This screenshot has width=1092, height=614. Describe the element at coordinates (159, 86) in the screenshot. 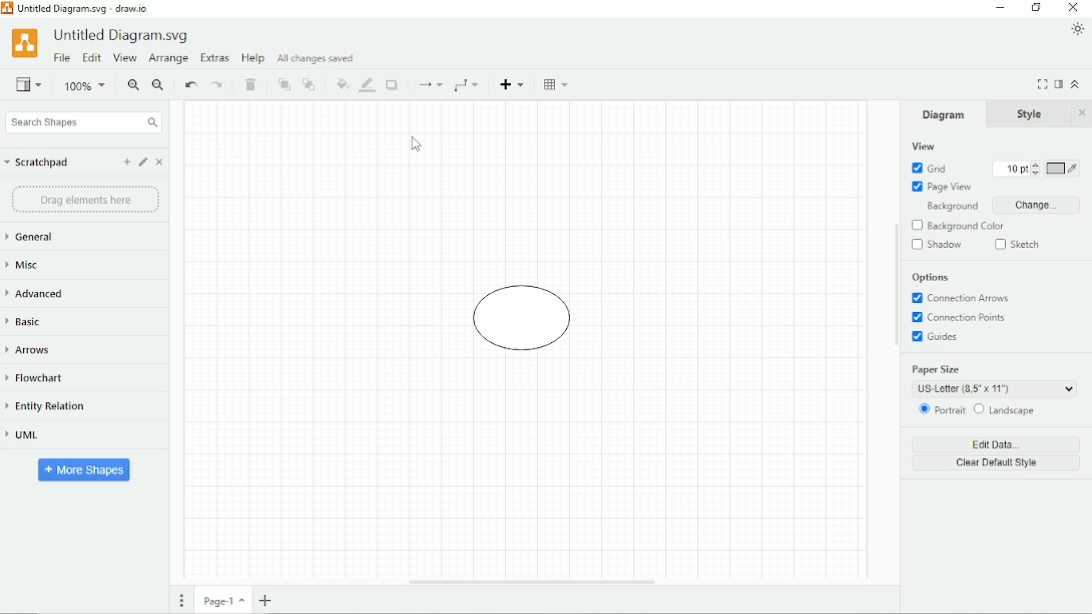

I see `Zoom Out` at that location.